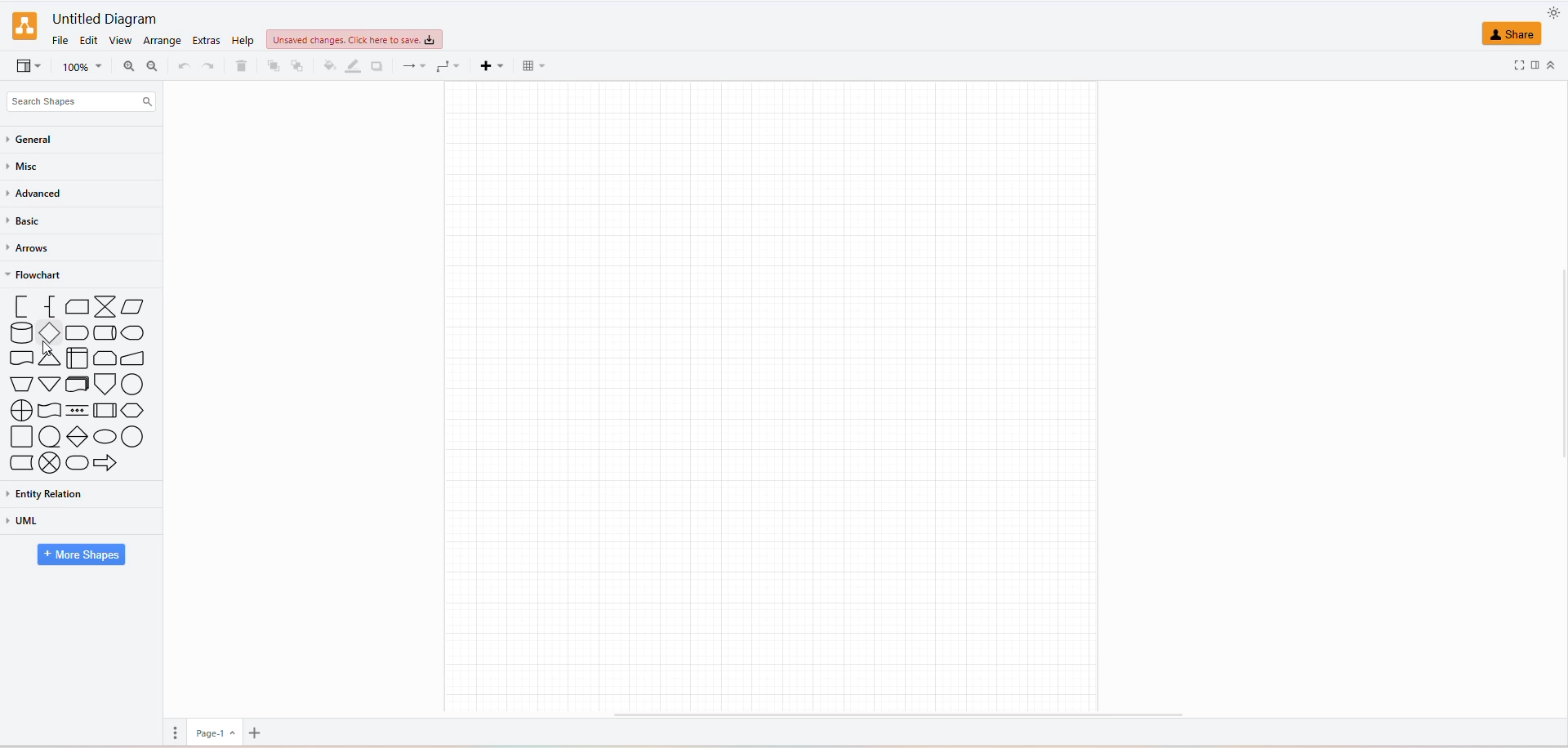 Image resolution: width=1568 pixels, height=748 pixels. I want to click on EDIT, so click(207, 42).